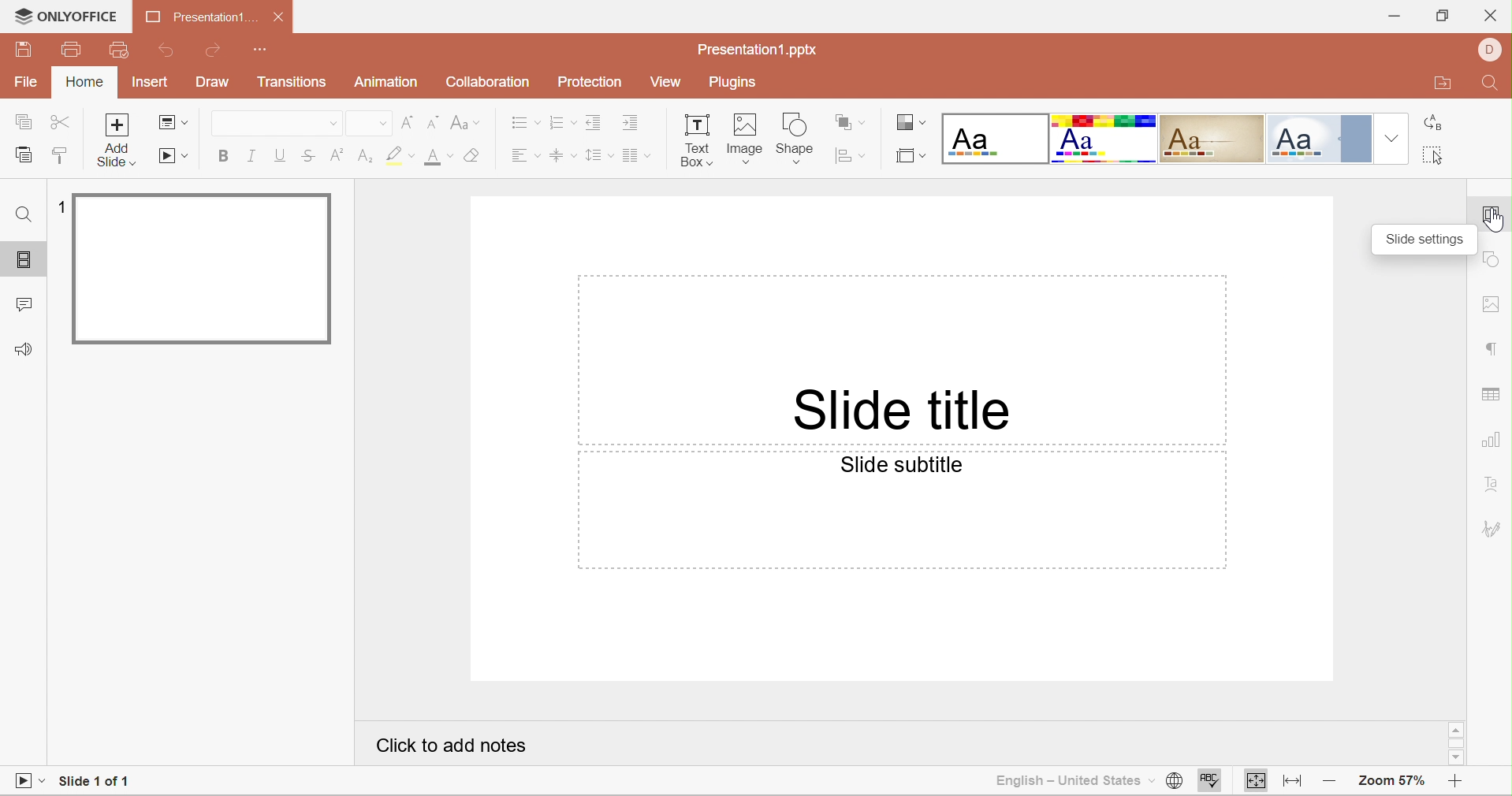 This screenshot has width=1512, height=796. What do you see at coordinates (734, 84) in the screenshot?
I see `Plugins` at bounding box center [734, 84].